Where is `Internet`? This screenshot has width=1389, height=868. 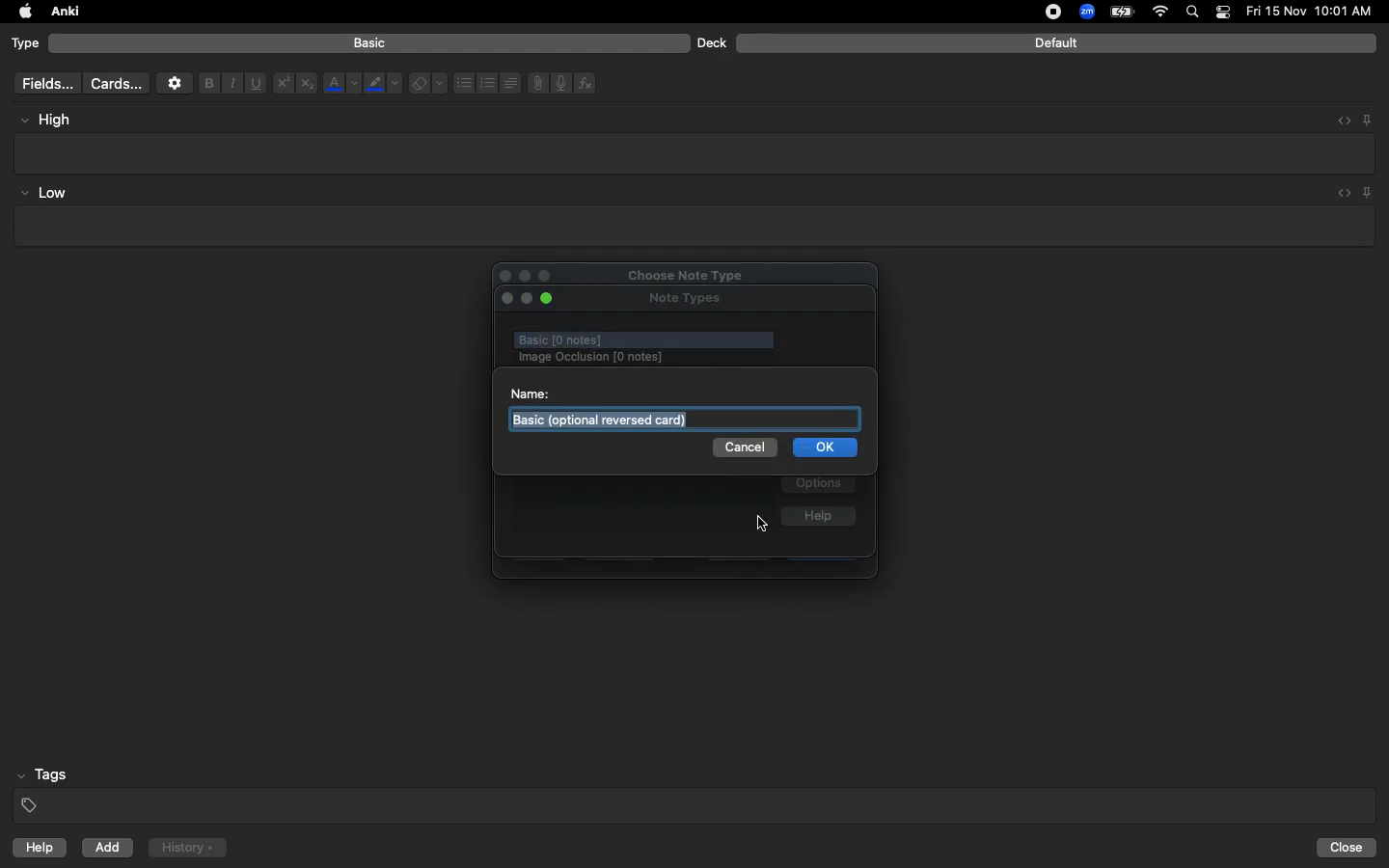
Internet is located at coordinates (1162, 13).